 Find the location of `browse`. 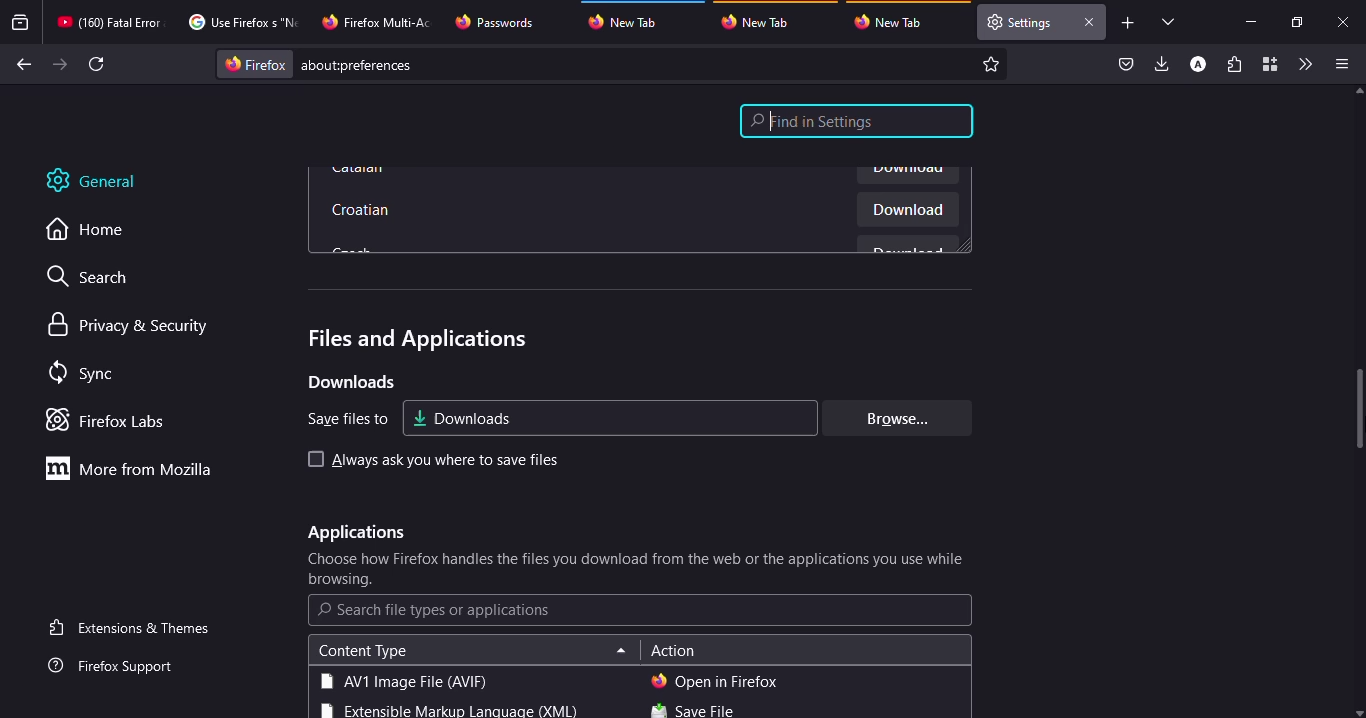

browse is located at coordinates (890, 418).